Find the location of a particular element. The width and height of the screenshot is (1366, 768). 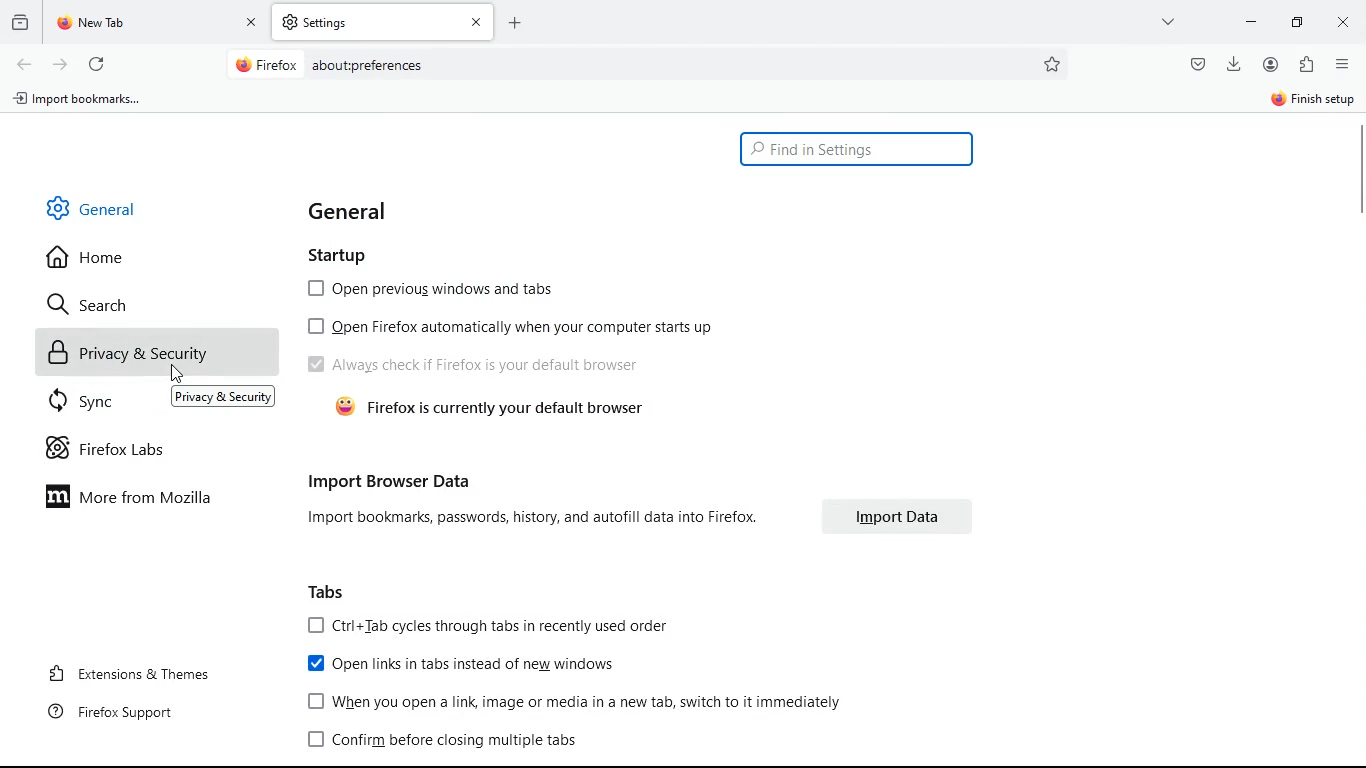

tab is located at coordinates (158, 23).